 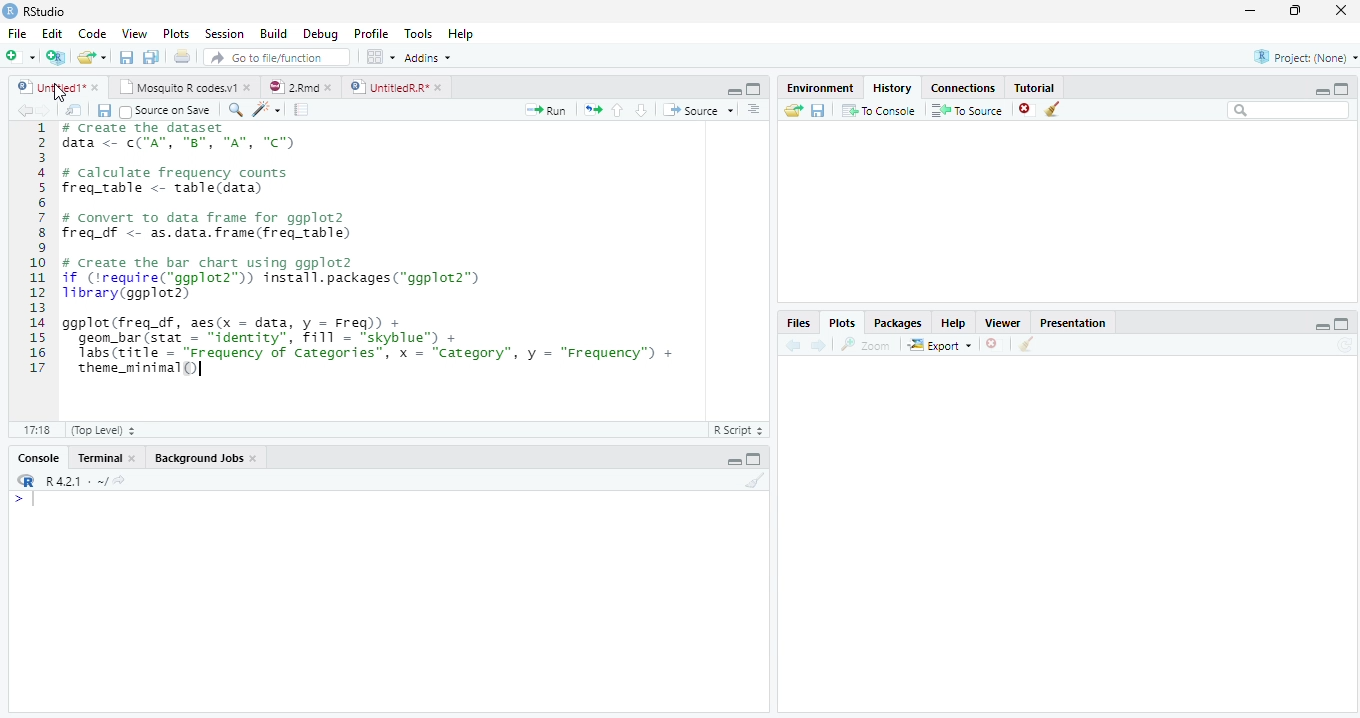 I want to click on Addins, so click(x=430, y=58).